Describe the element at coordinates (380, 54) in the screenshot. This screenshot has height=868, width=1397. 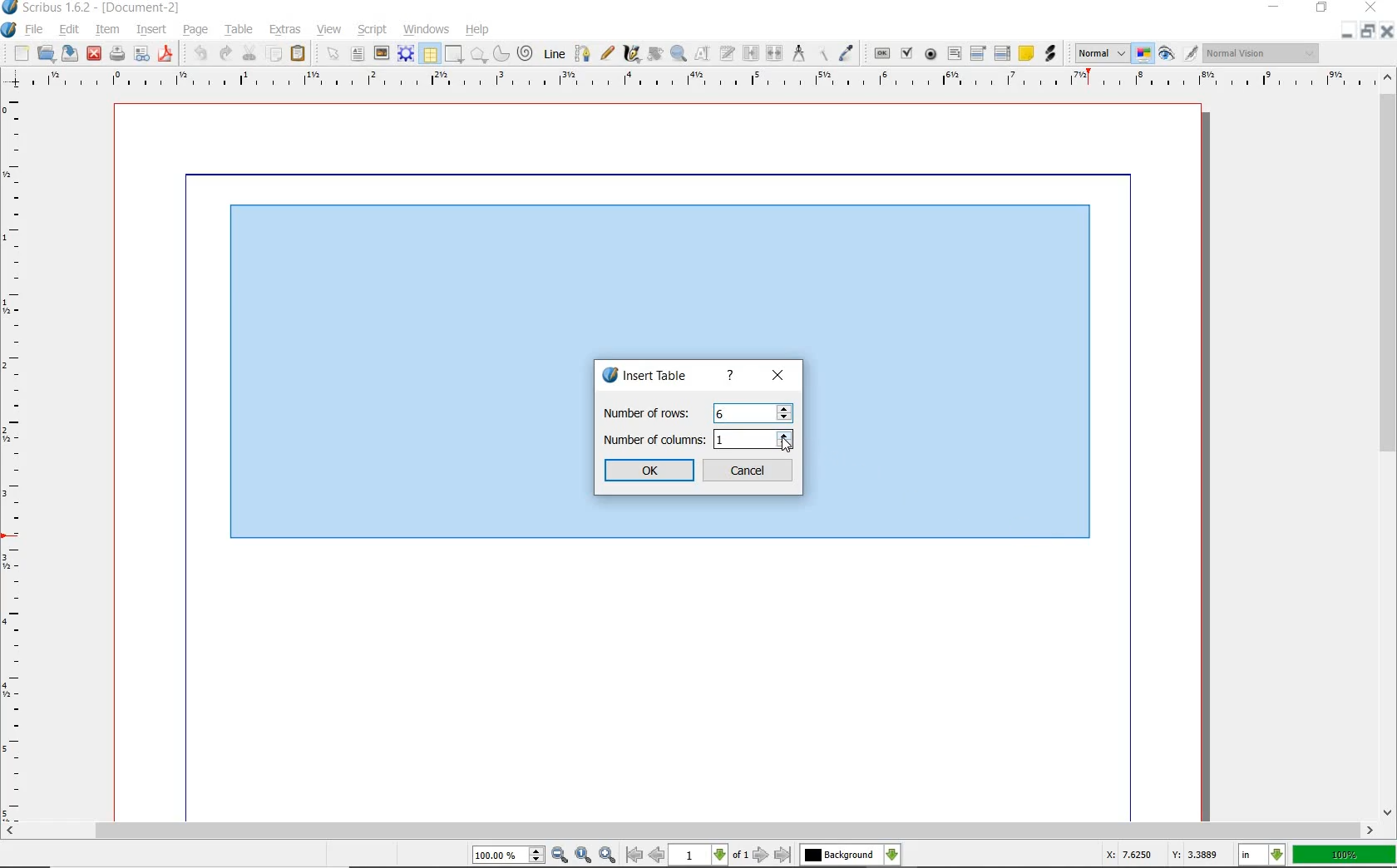
I see `image frame` at that location.